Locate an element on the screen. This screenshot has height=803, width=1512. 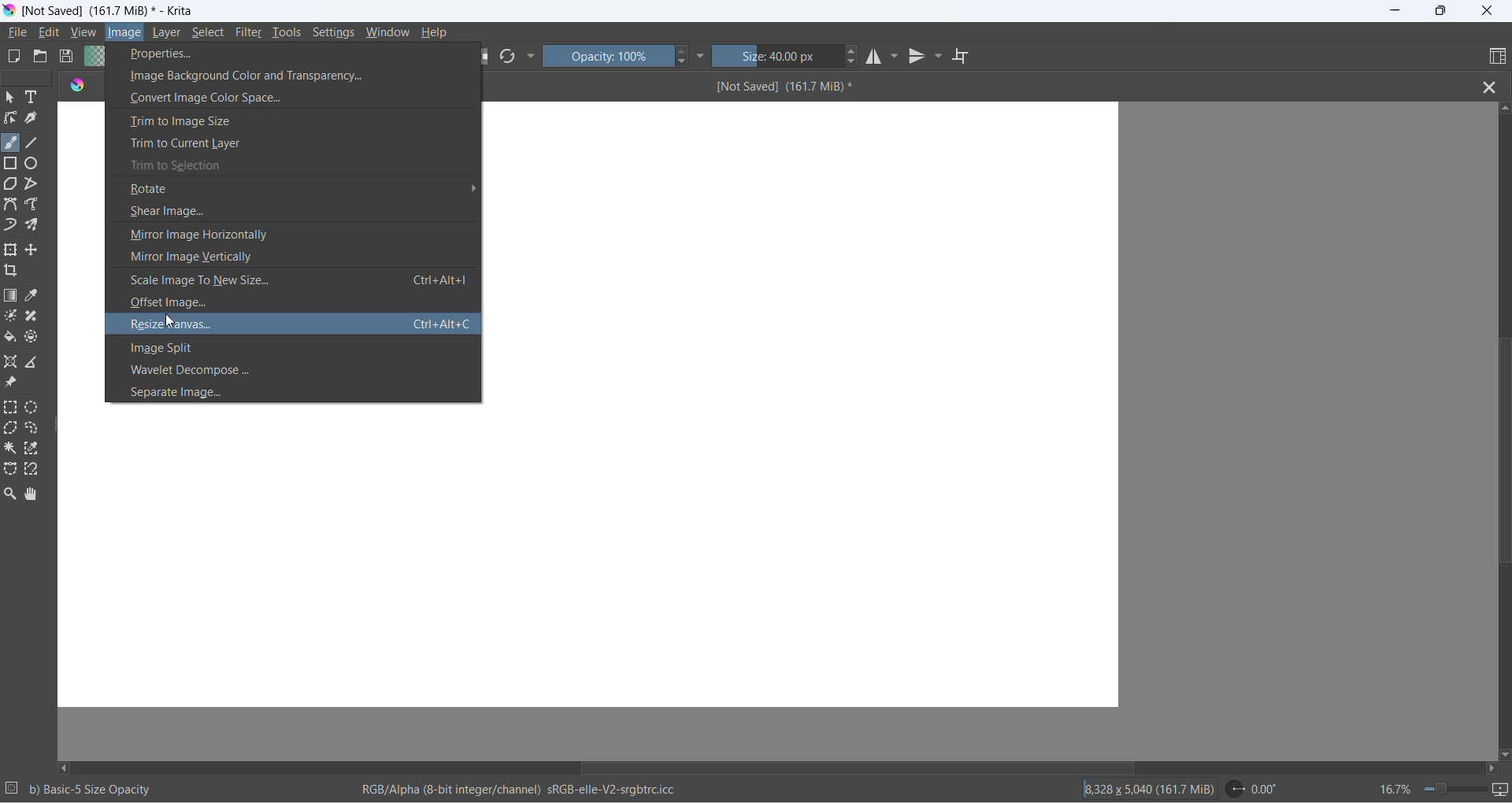
image background color and transparency is located at coordinates (292, 75).